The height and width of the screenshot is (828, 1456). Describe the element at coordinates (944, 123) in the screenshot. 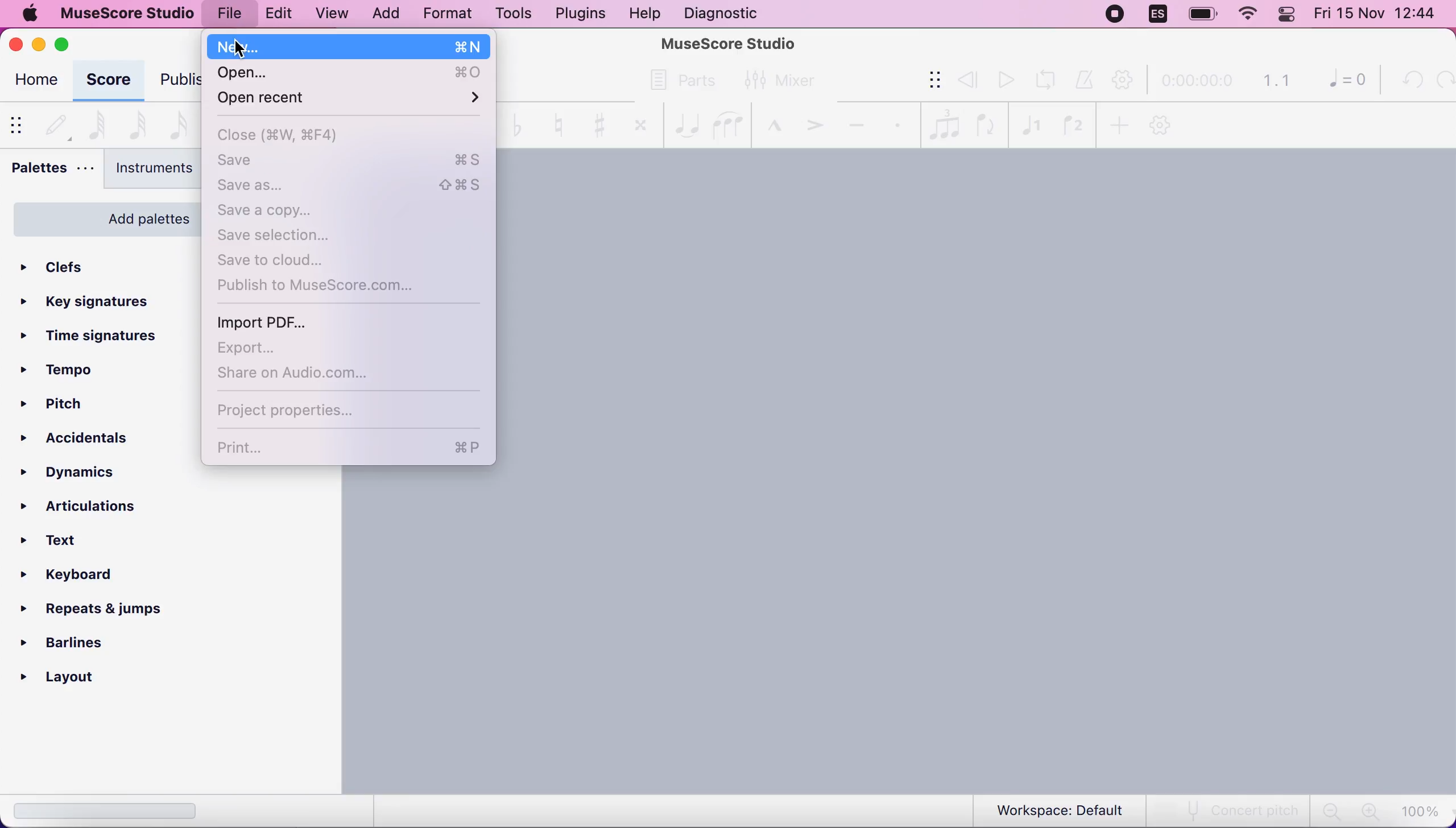

I see `tules` at that location.